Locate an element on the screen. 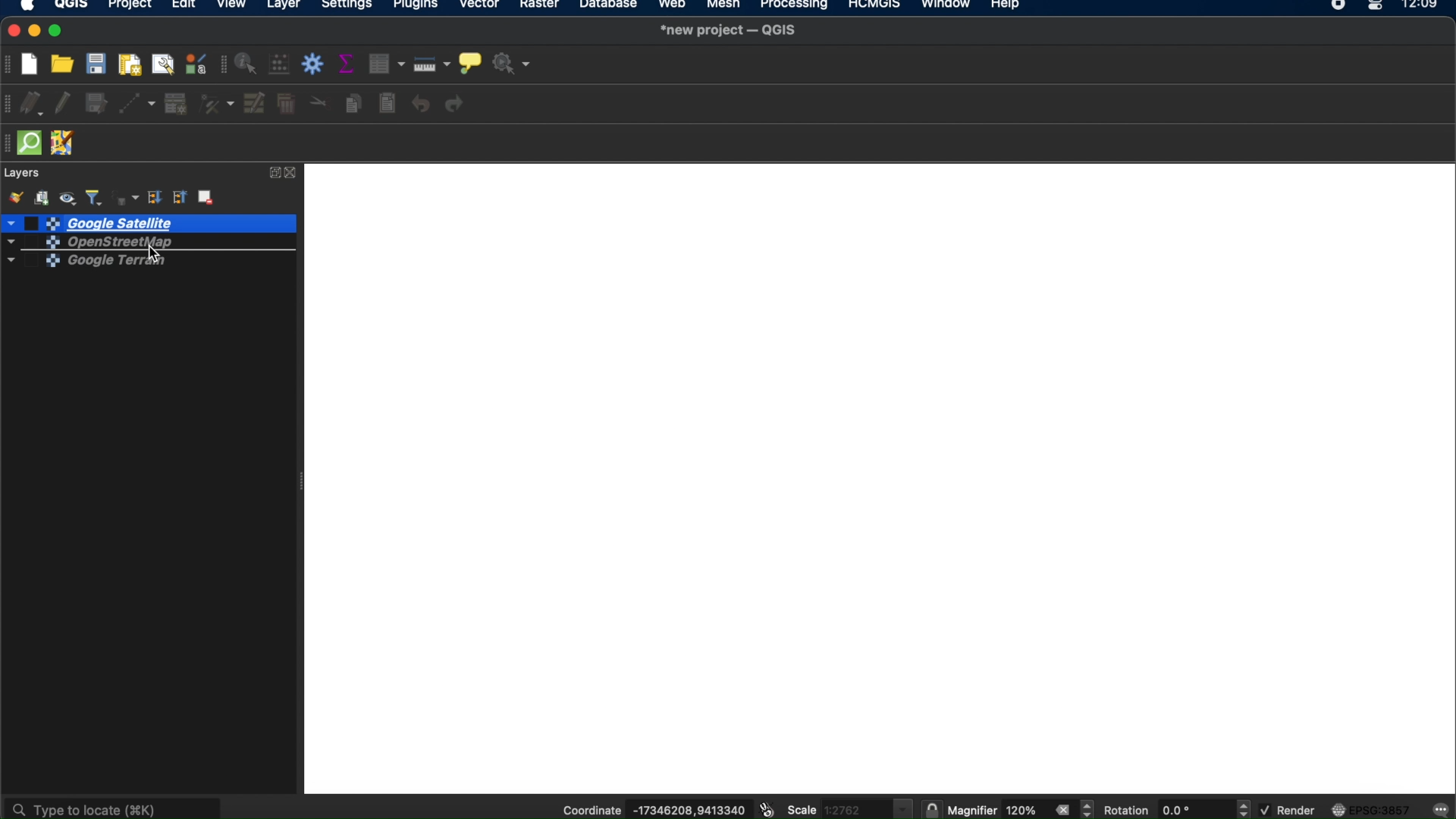 This screenshot has width=1456, height=819. OpenStreetMap is located at coordinates (112, 242).